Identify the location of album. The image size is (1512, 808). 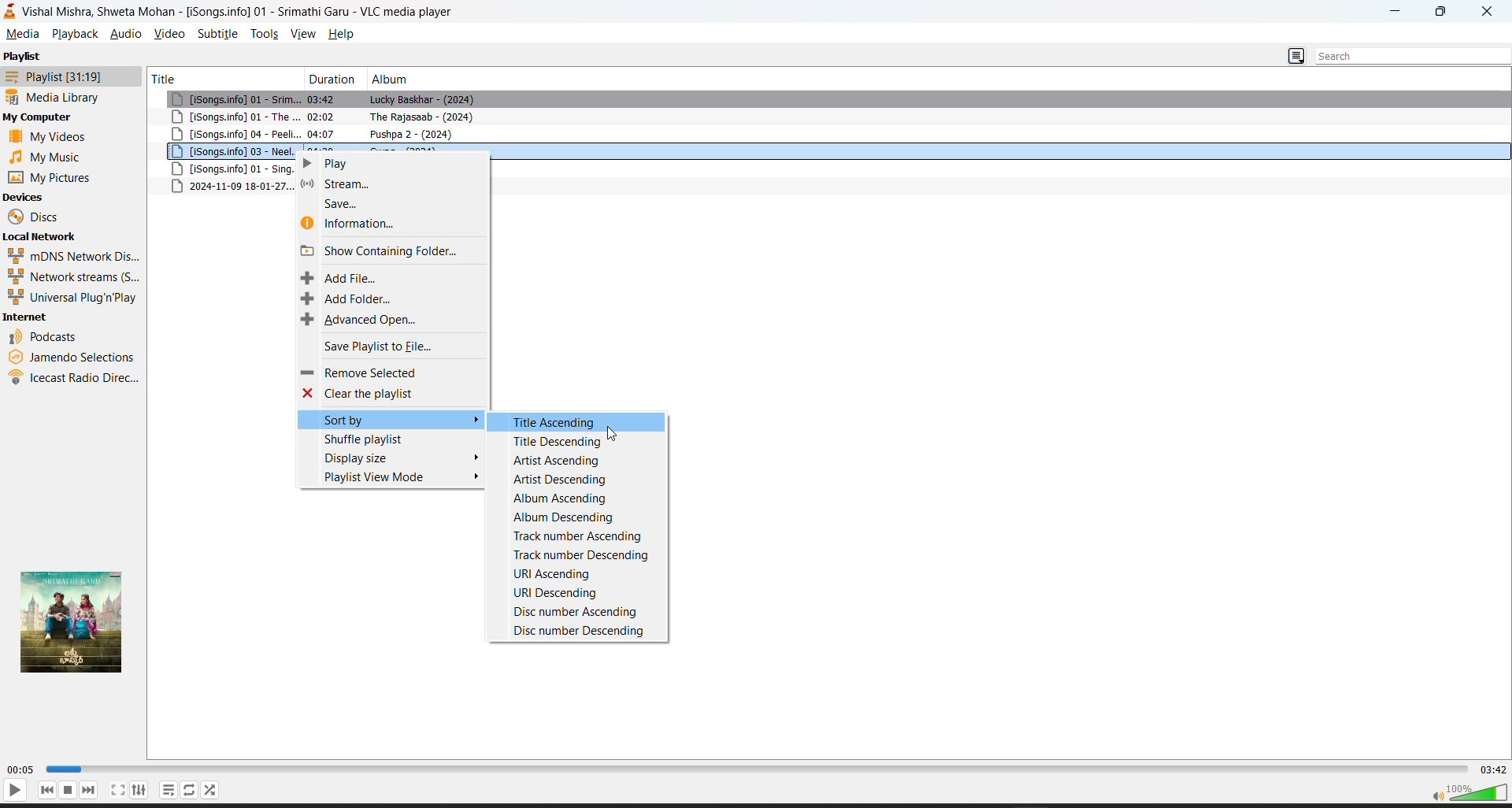
(395, 80).